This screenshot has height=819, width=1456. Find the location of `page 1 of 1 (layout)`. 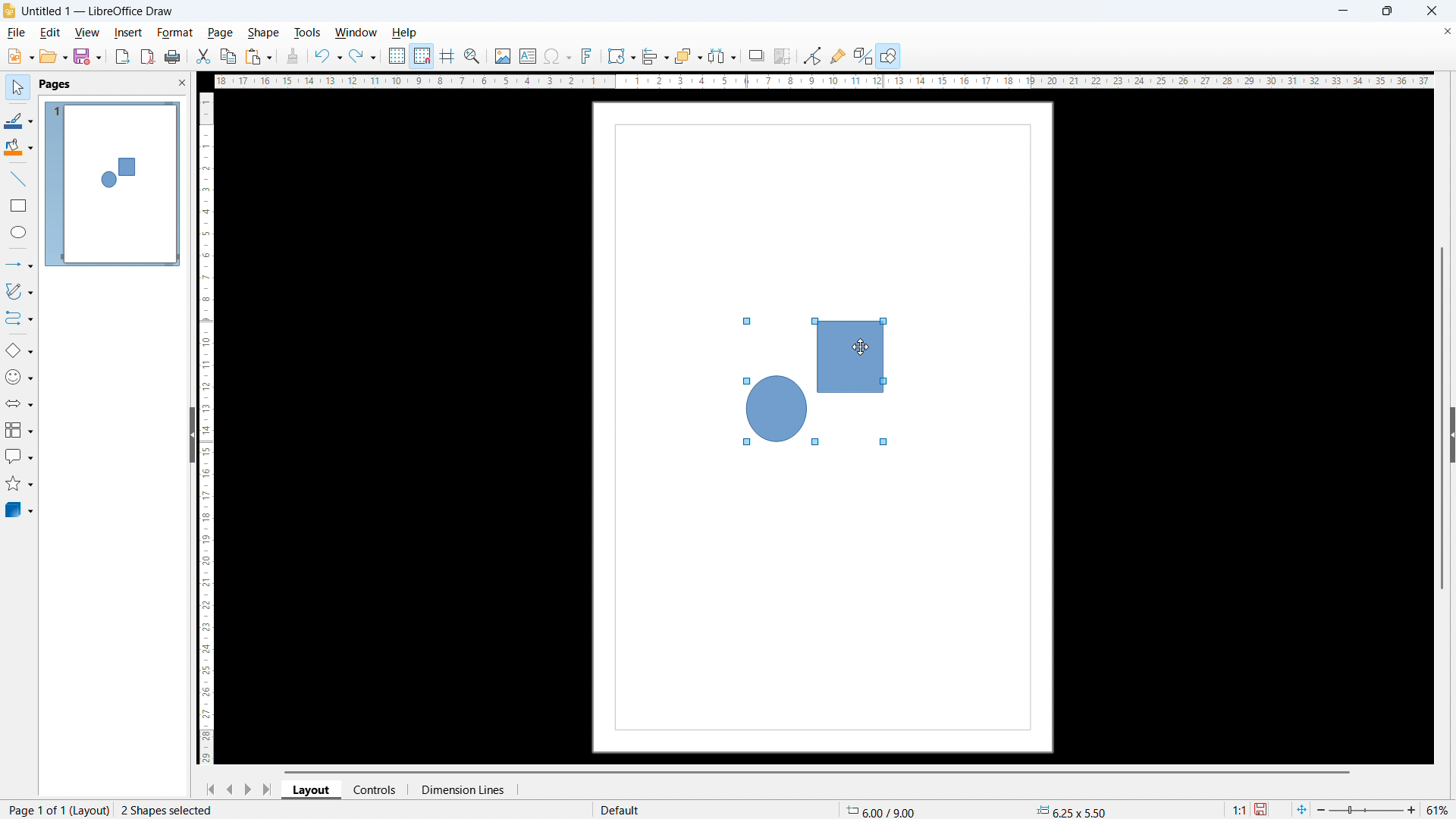

page 1 of 1 (layout) is located at coordinates (56, 809).